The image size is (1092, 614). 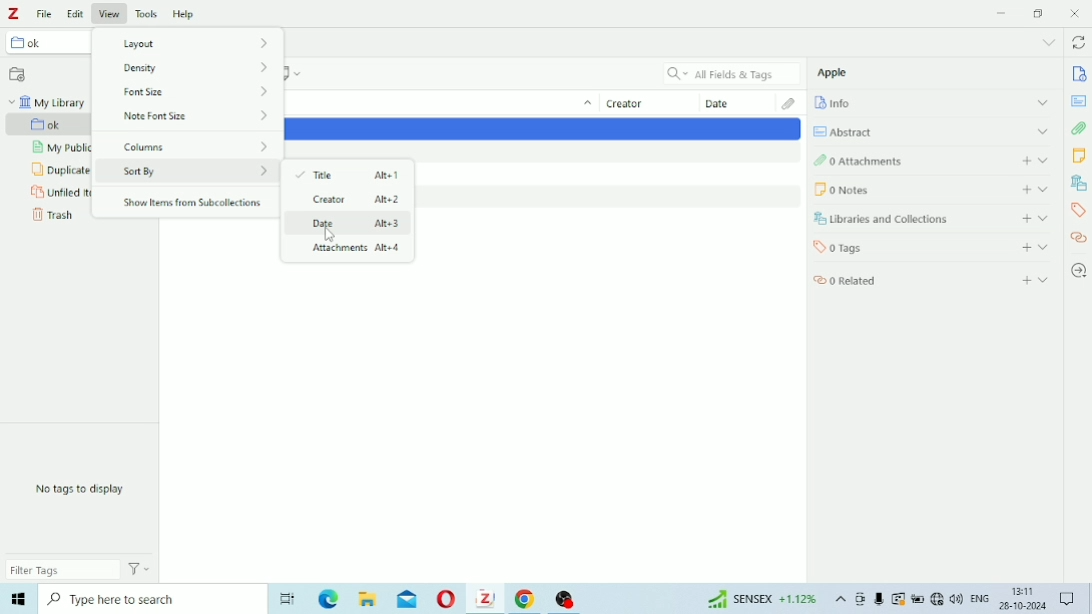 I want to click on Mail, so click(x=407, y=599).